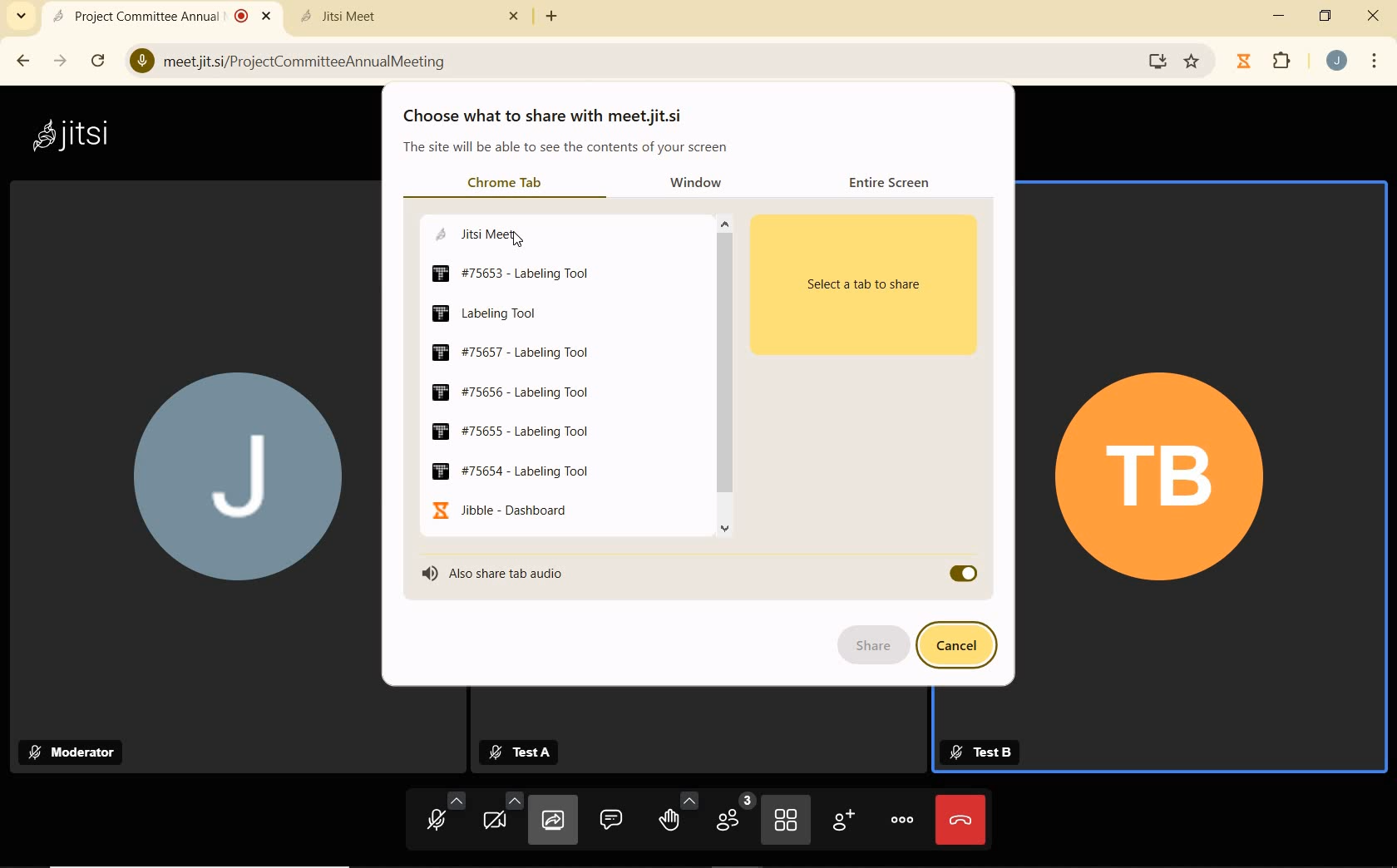 This screenshot has width=1397, height=868. Describe the element at coordinates (159, 16) in the screenshot. I see `Project Committee Annual` at that location.